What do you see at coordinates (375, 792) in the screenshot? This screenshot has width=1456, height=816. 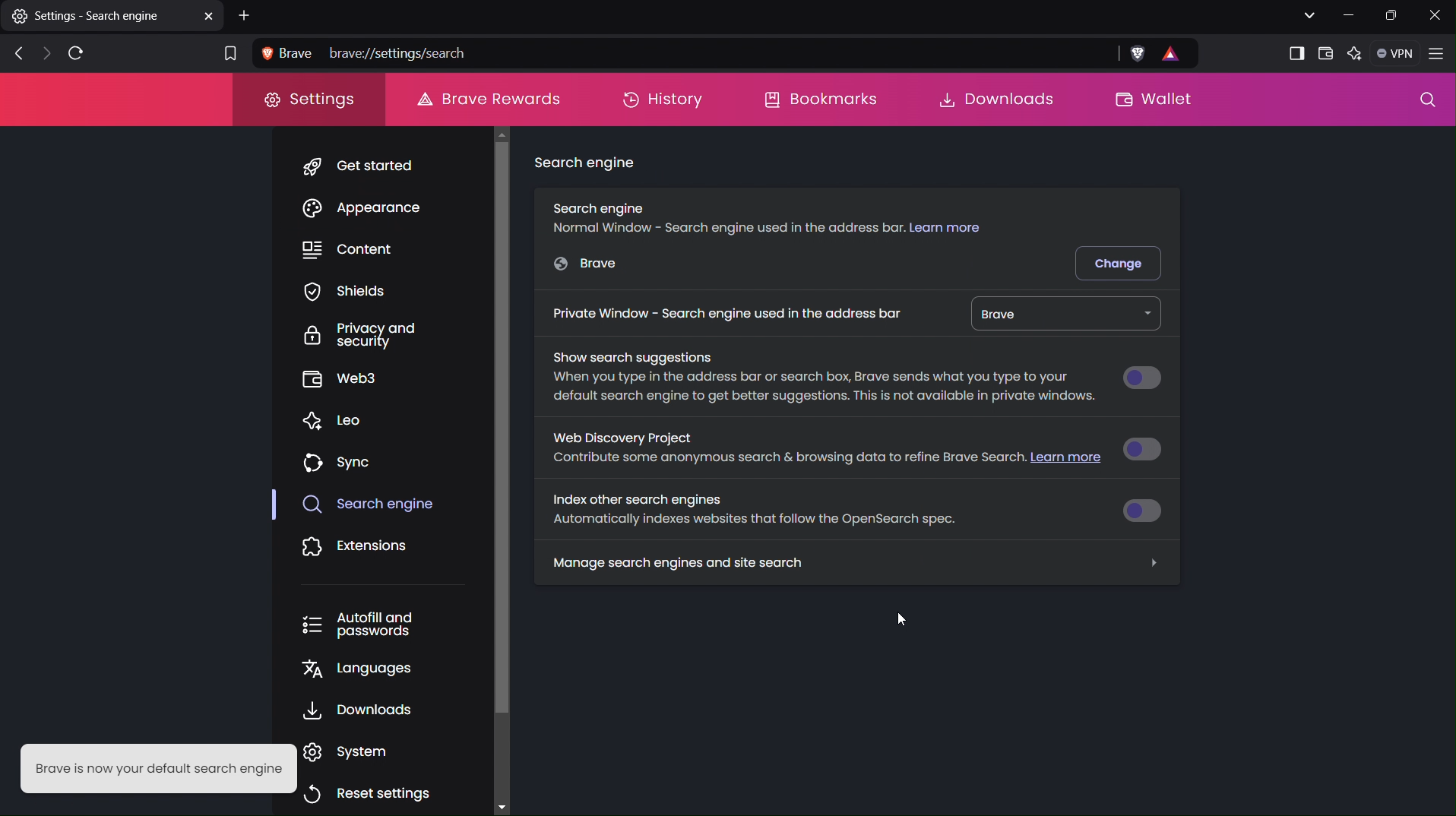 I see `Reset settings` at bounding box center [375, 792].